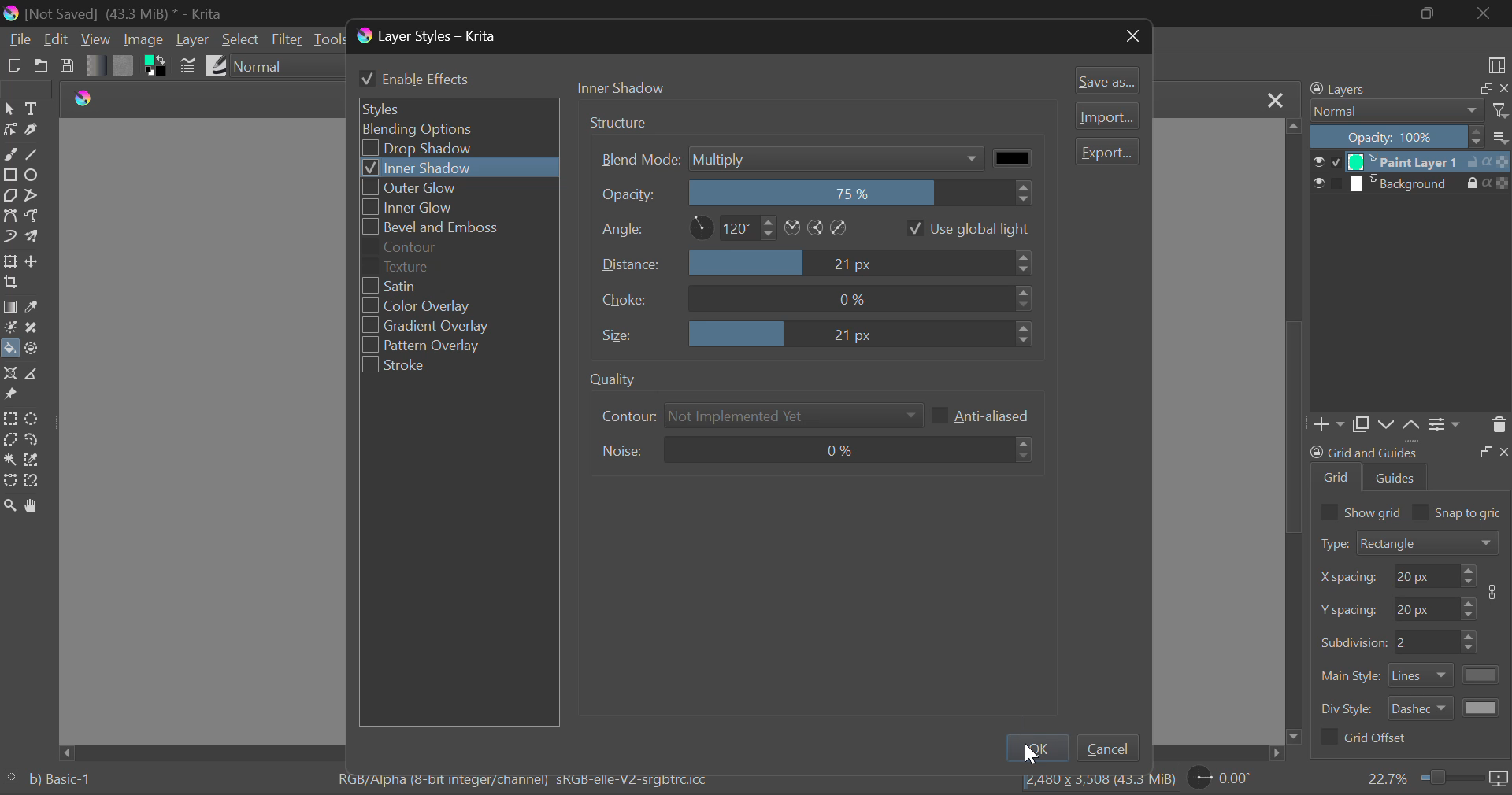  Describe the element at coordinates (10, 328) in the screenshot. I see `Colorize Mask Tool` at that location.